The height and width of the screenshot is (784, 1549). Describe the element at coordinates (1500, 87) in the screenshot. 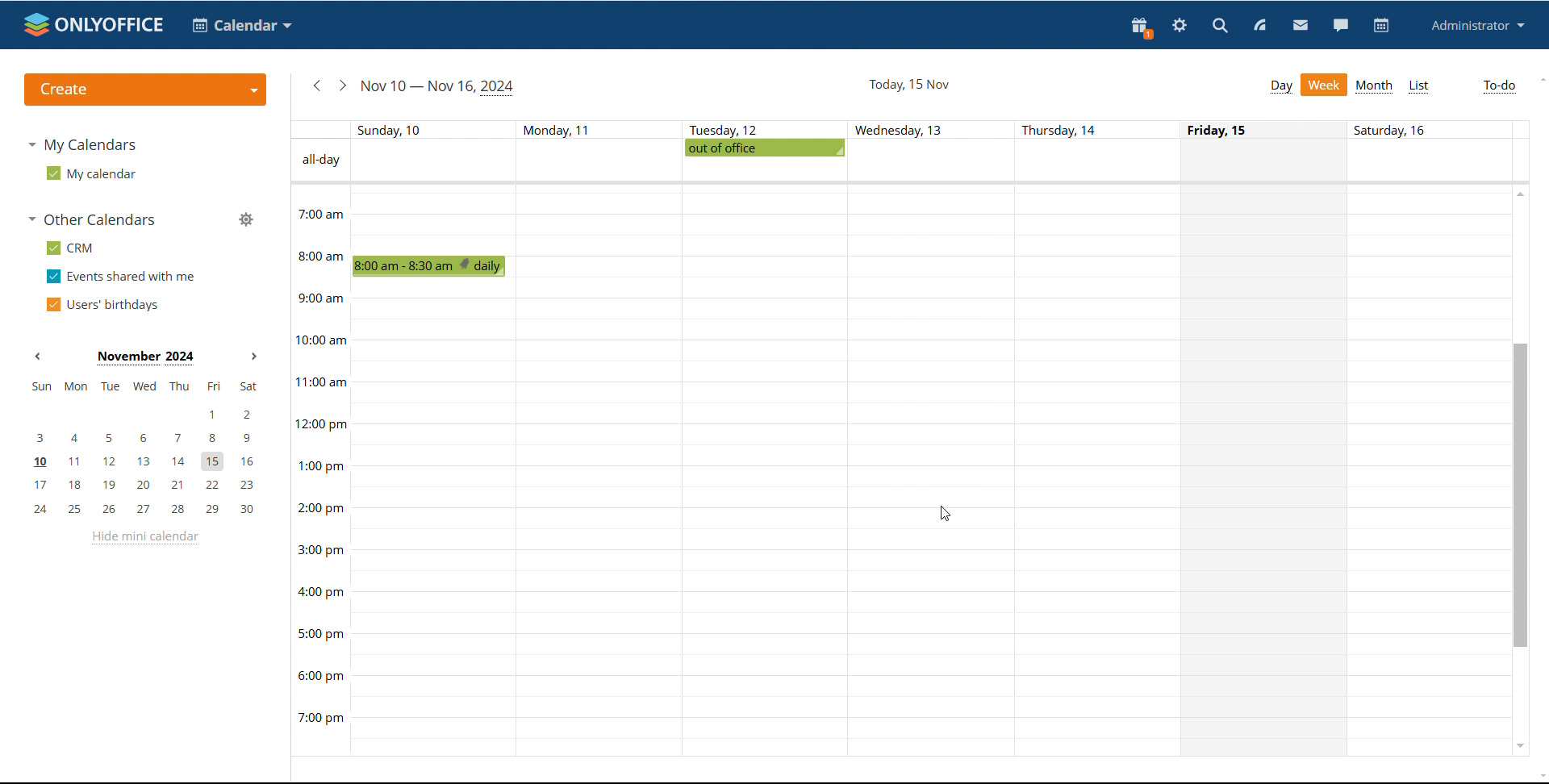

I see `to-do` at that location.